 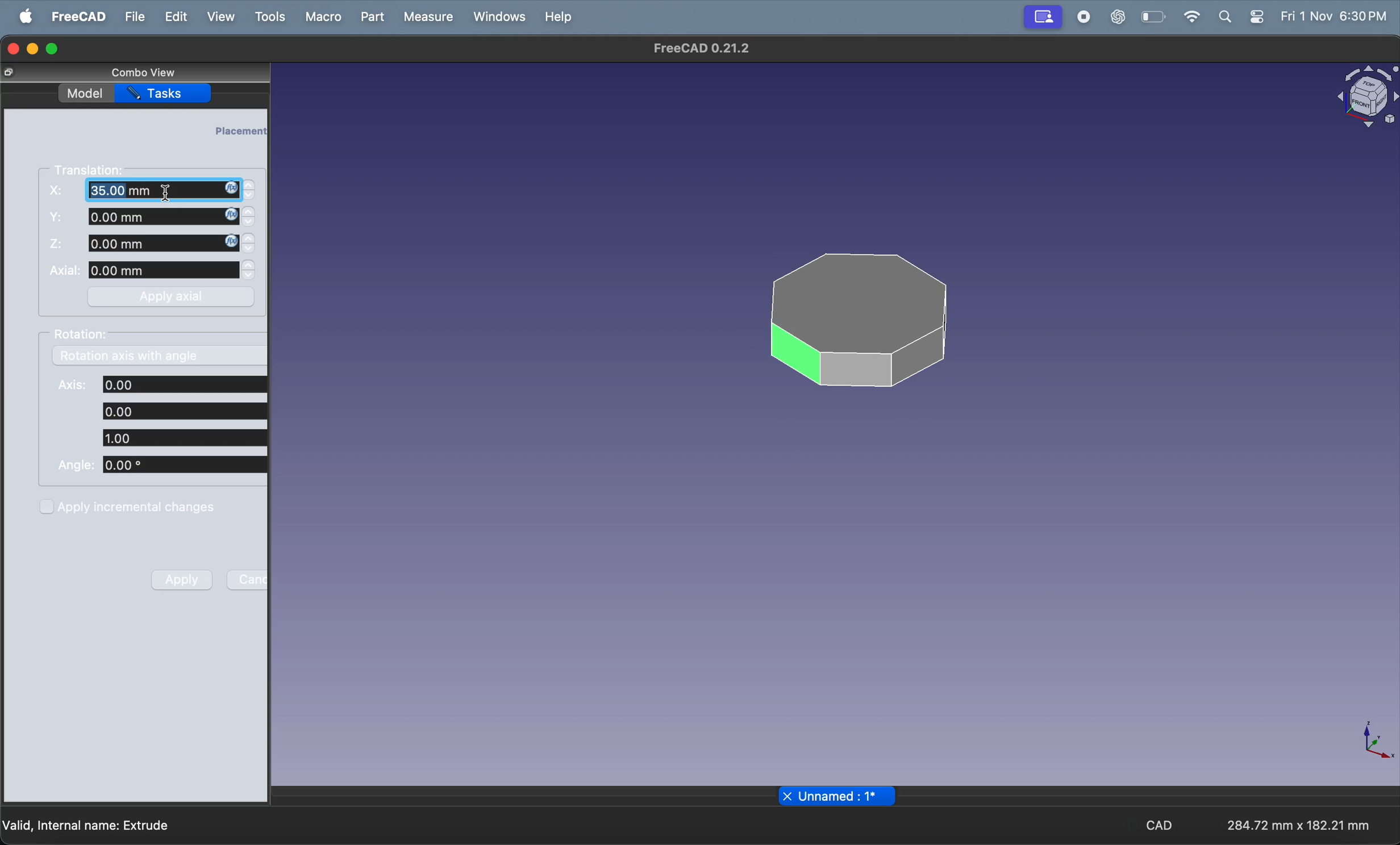 What do you see at coordinates (182, 438) in the screenshot?
I see `1.00` at bounding box center [182, 438].